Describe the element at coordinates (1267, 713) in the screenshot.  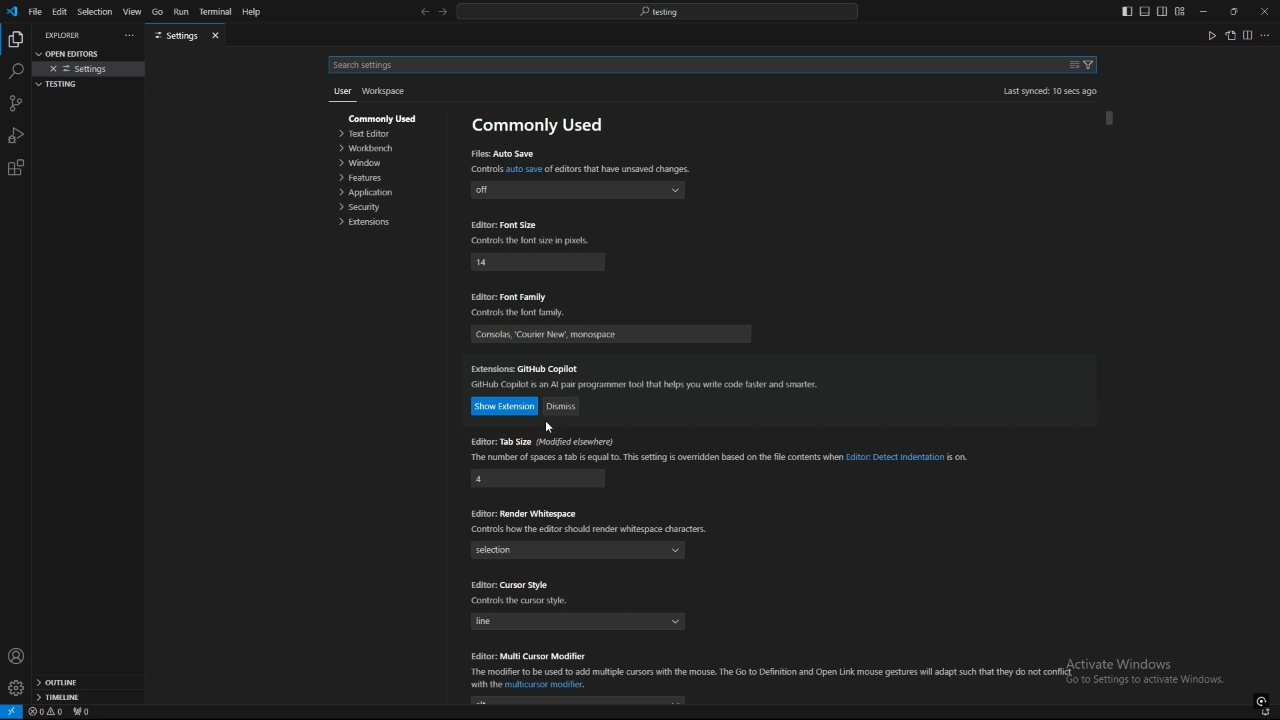
I see `notifications` at that location.